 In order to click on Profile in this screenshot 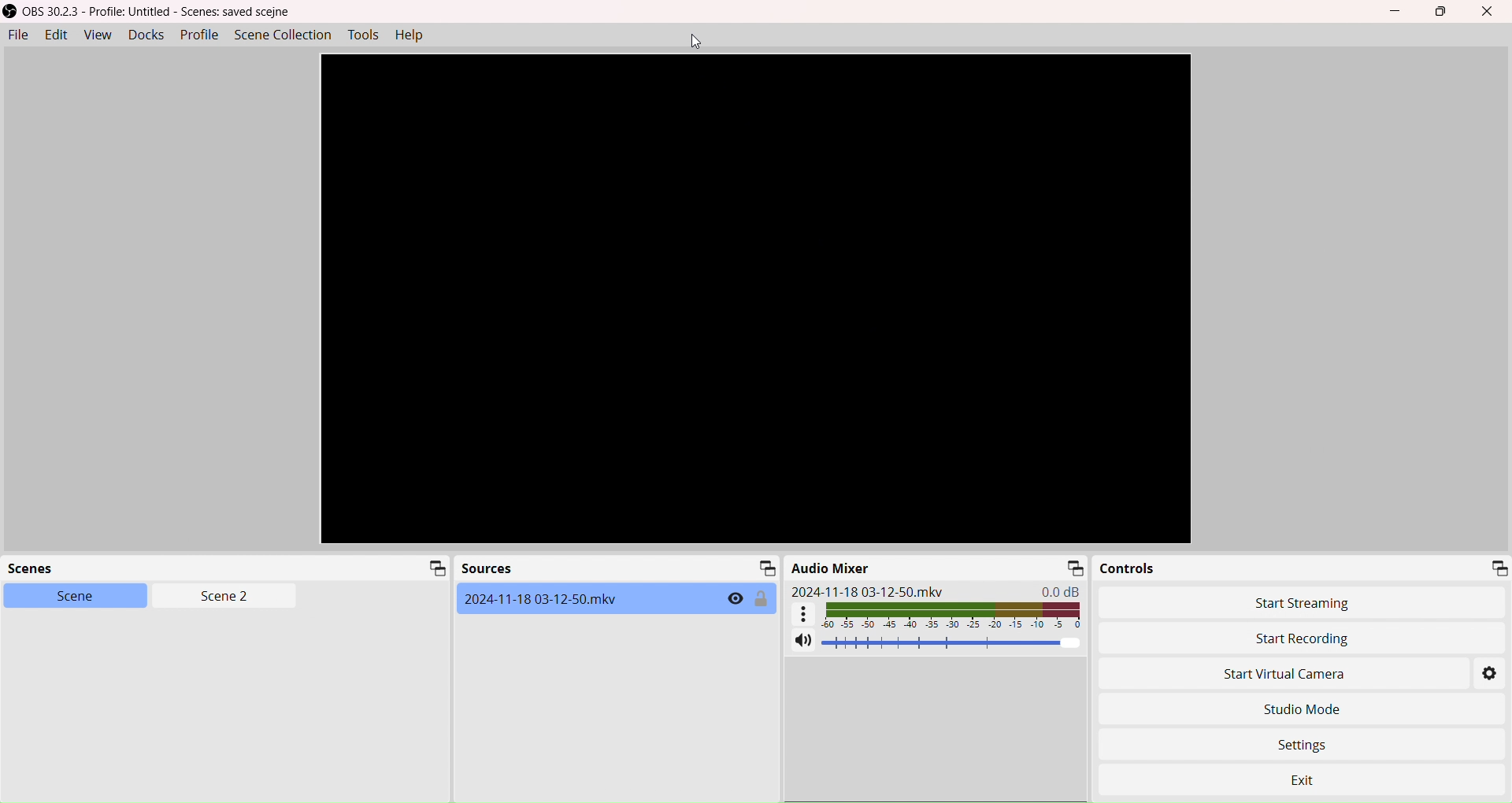, I will do `click(199, 35)`.